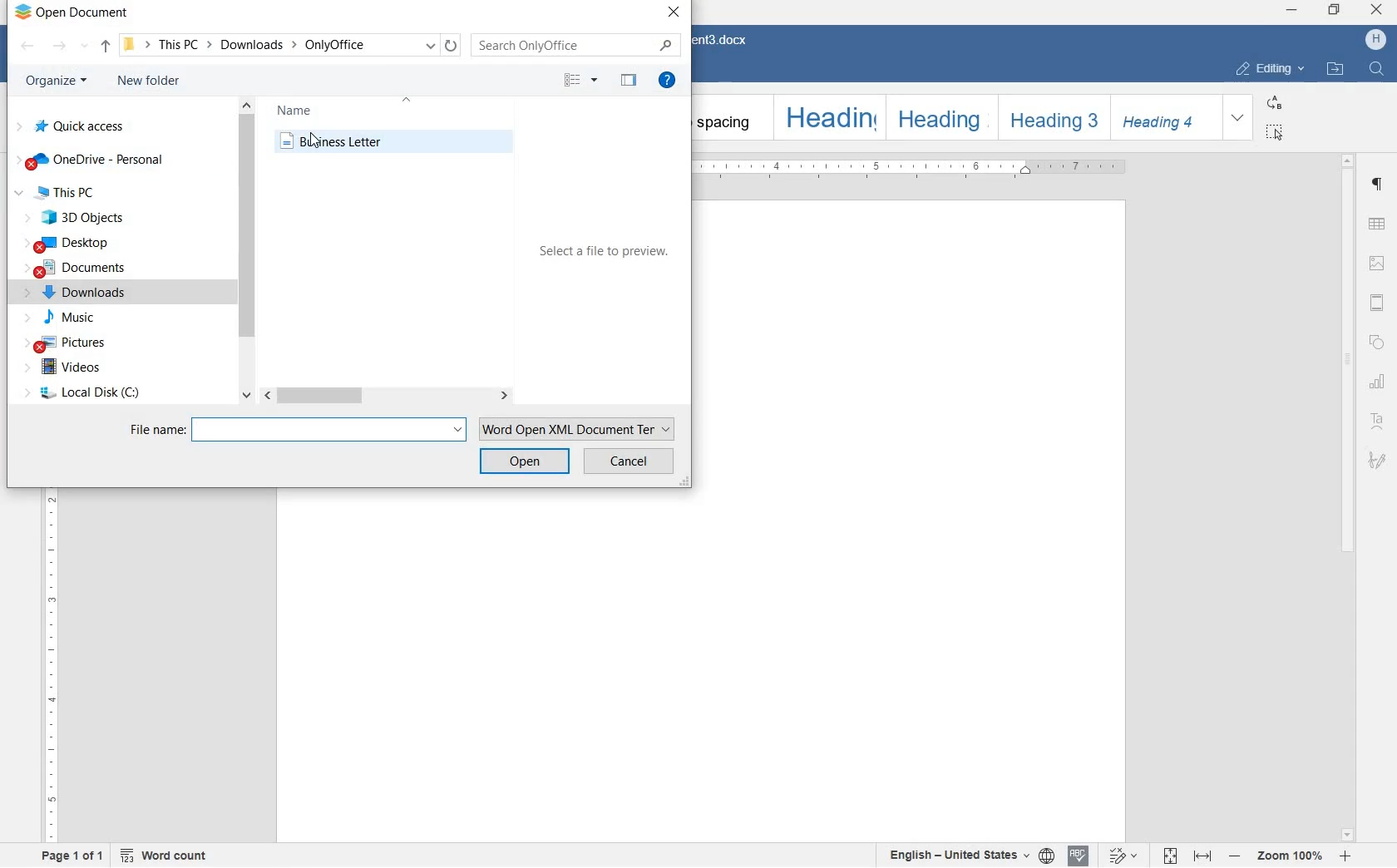 Image resolution: width=1397 pixels, height=868 pixels. Describe the element at coordinates (78, 243) in the screenshot. I see `desktop` at that location.